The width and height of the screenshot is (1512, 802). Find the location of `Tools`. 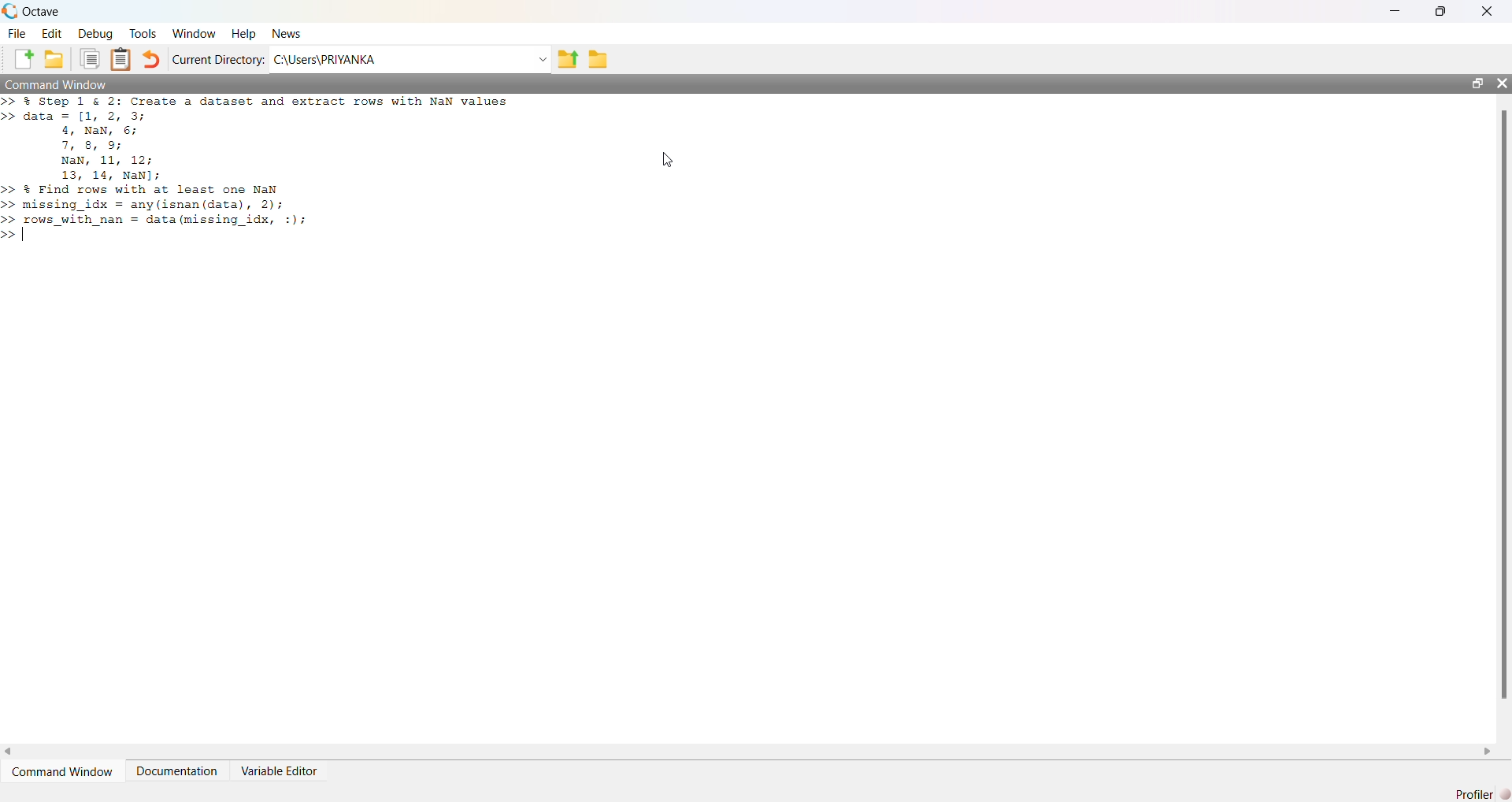

Tools is located at coordinates (143, 33).